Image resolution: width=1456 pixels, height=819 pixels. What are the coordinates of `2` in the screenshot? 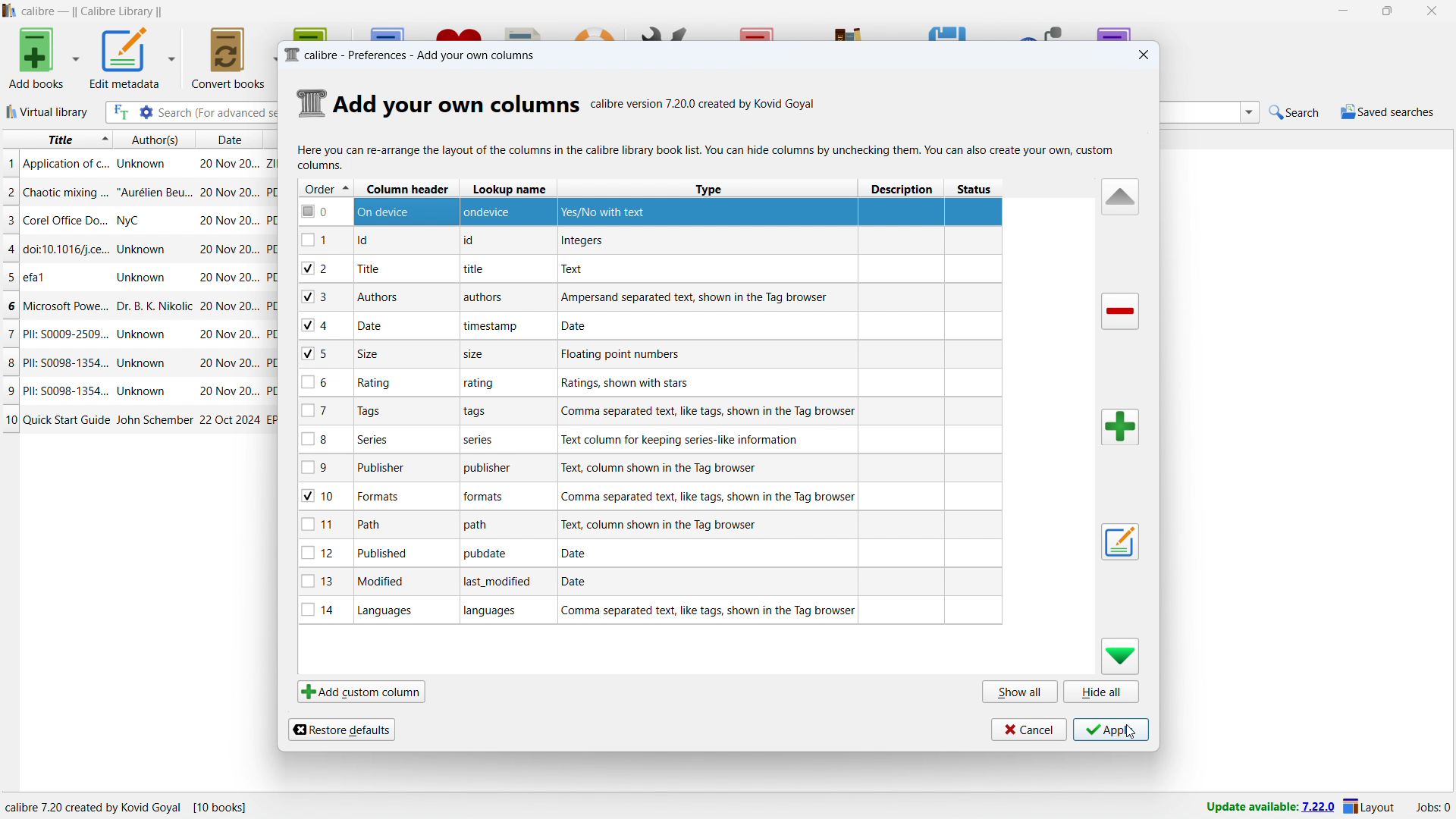 It's located at (325, 267).